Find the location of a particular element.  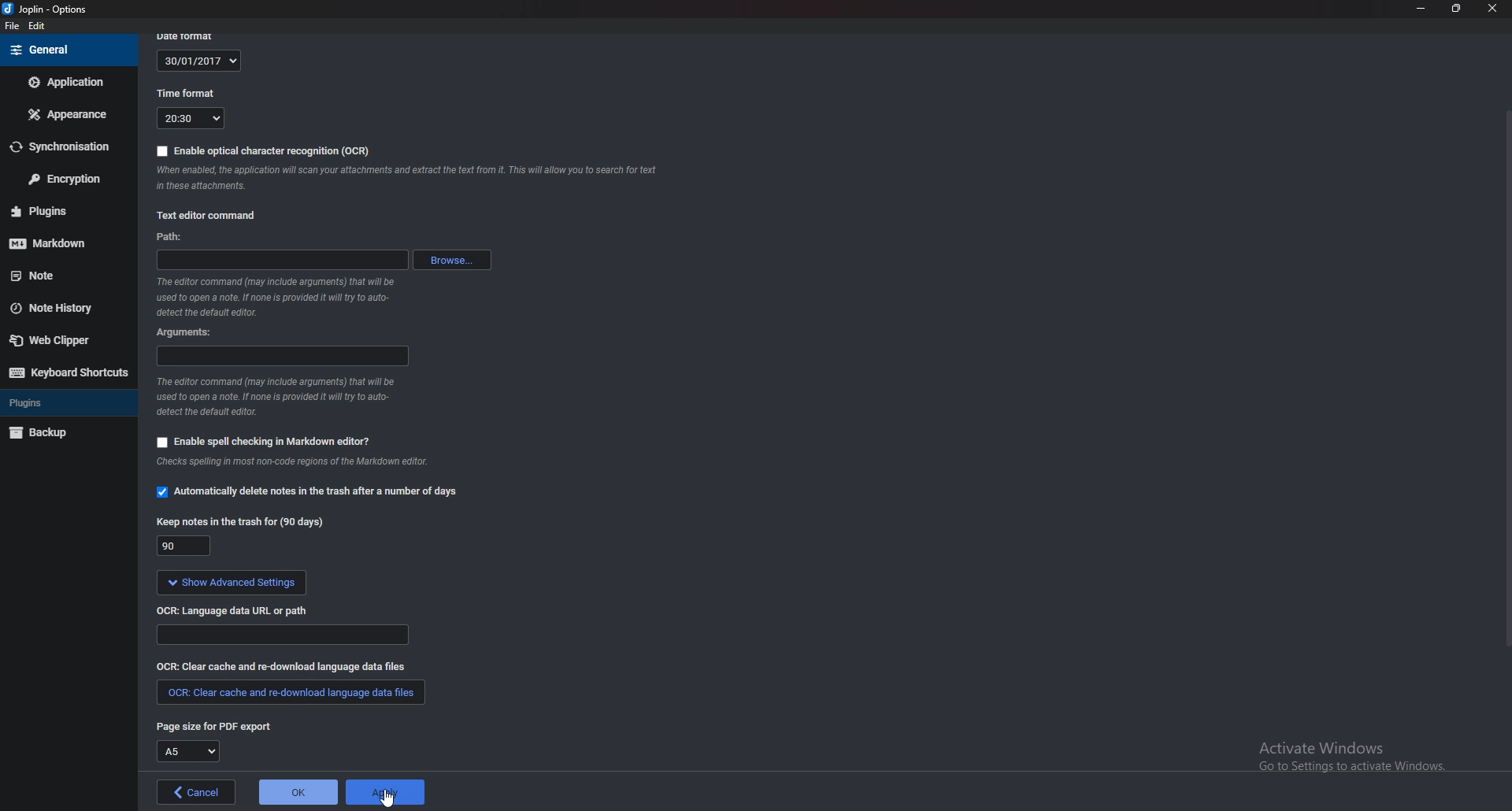

o C R language data url or path is located at coordinates (234, 613).